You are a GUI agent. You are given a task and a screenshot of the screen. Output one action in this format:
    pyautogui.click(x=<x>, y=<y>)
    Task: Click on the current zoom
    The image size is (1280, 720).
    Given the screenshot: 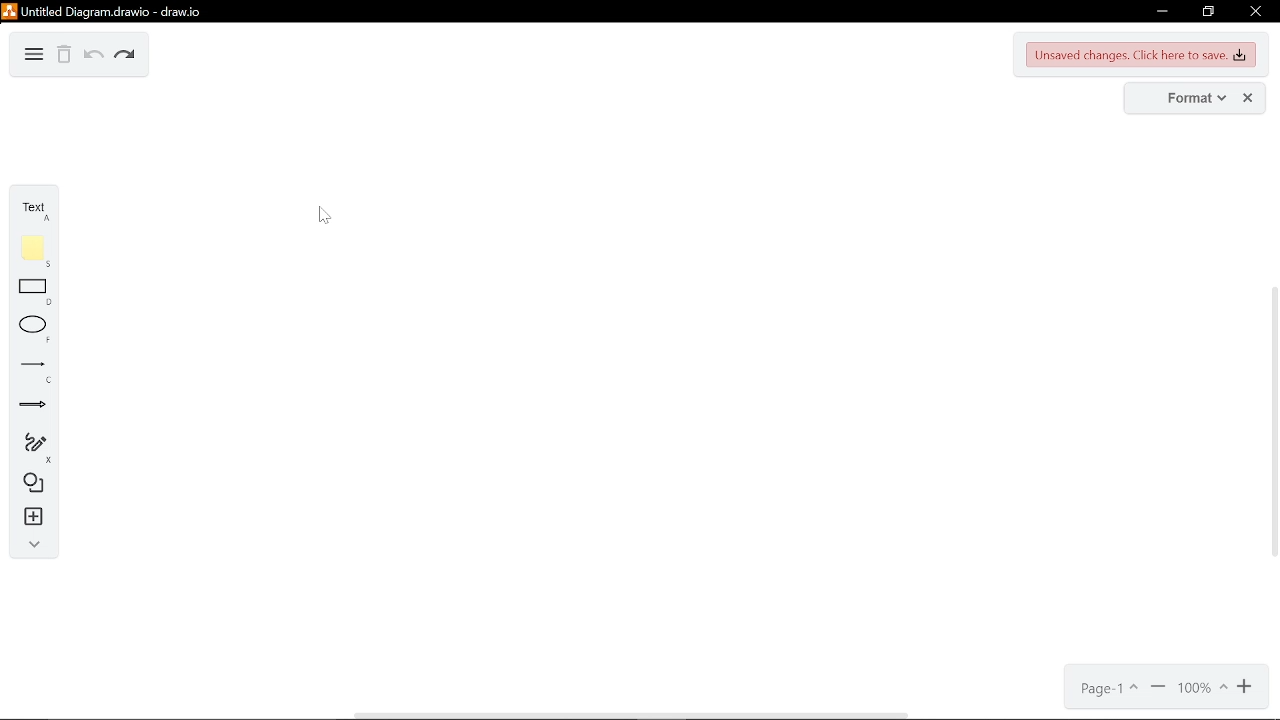 What is the action you would take?
    pyautogui.click(x=1203, y=689)
    